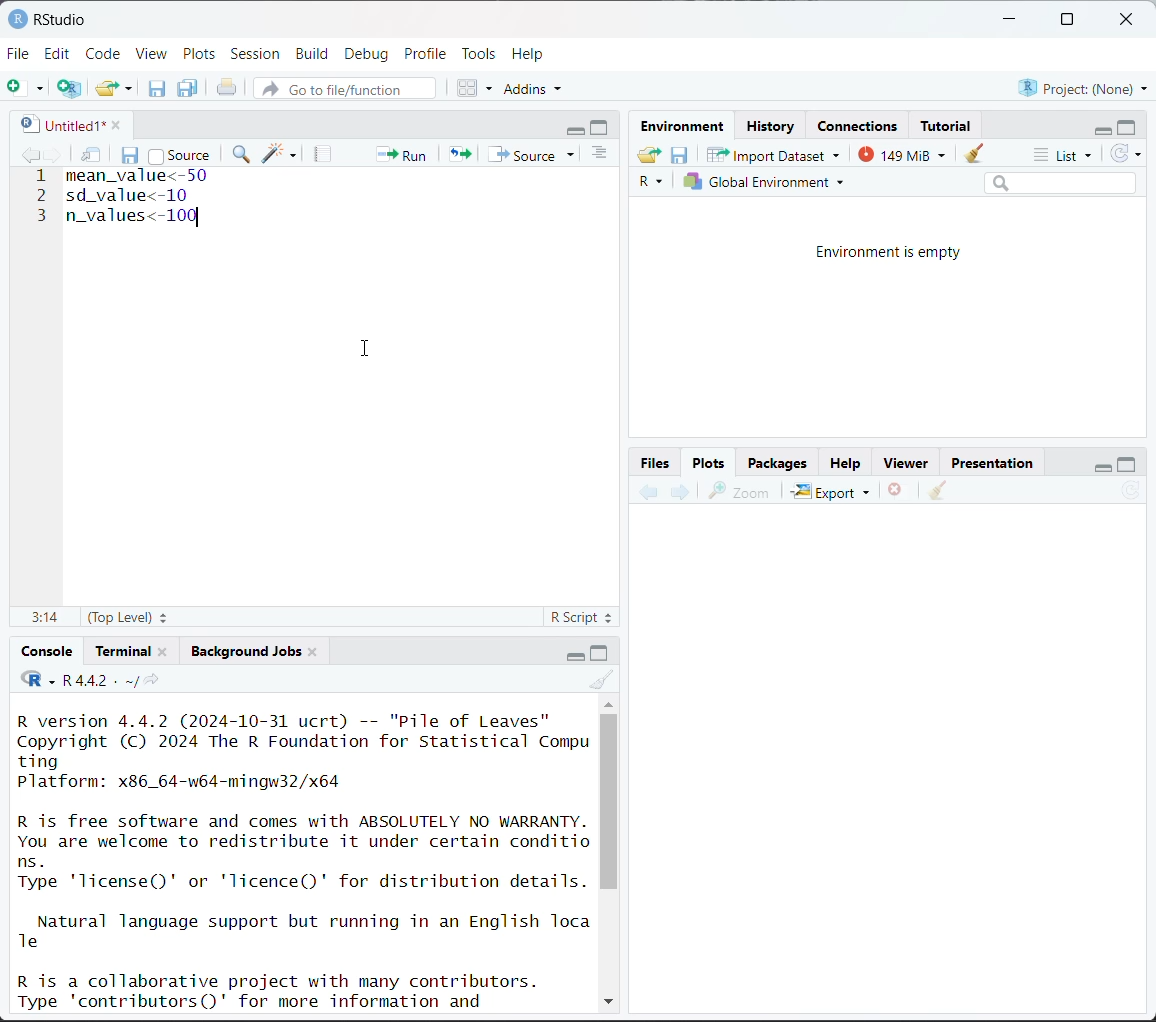 The width and height of the screenshot is (1156, 1022). Describe the element at coordinates (603, 155) in the screenshot. I see `show document outline` at that location.